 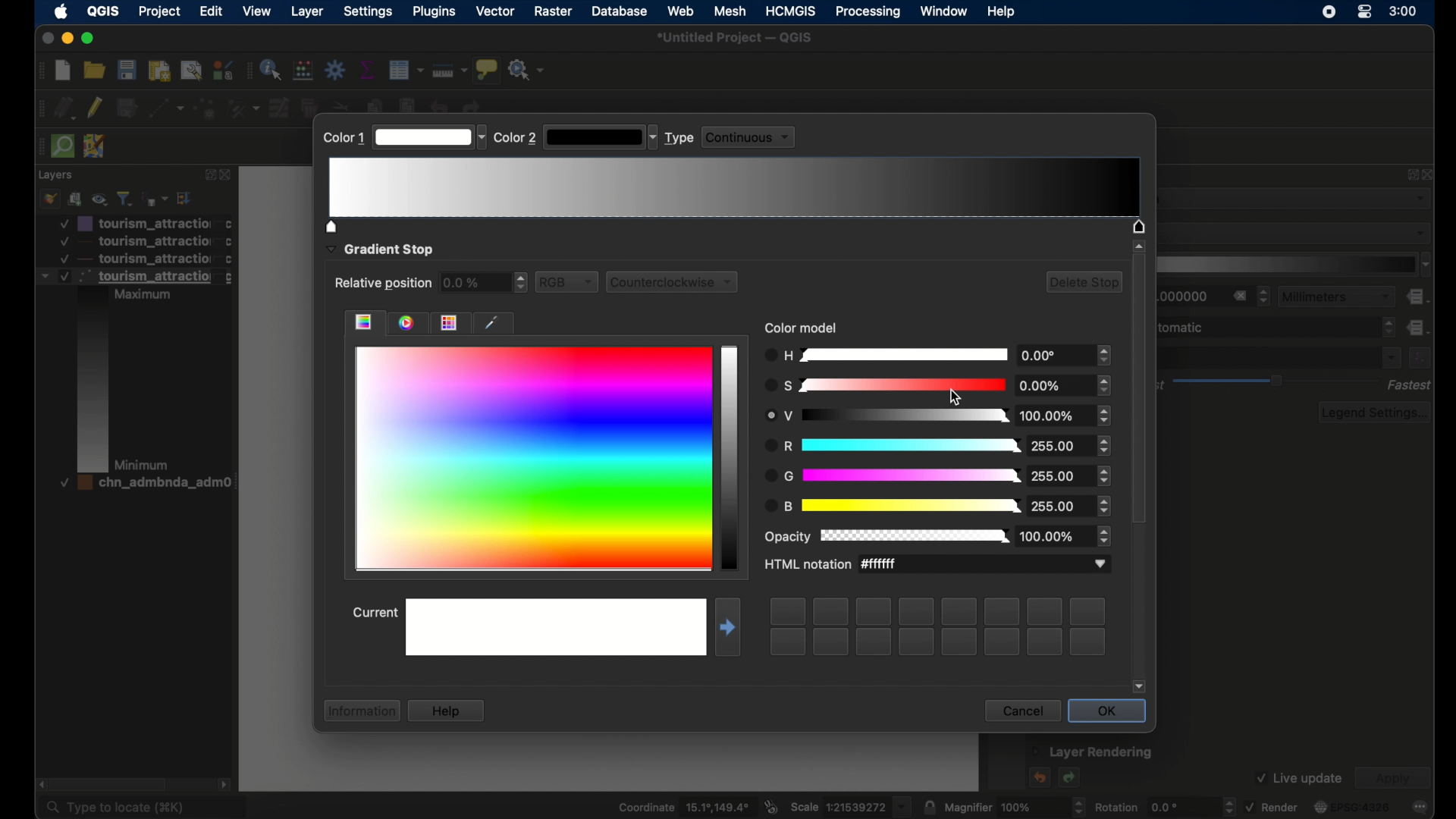 I want to click on close, so click(x=47, y=39).